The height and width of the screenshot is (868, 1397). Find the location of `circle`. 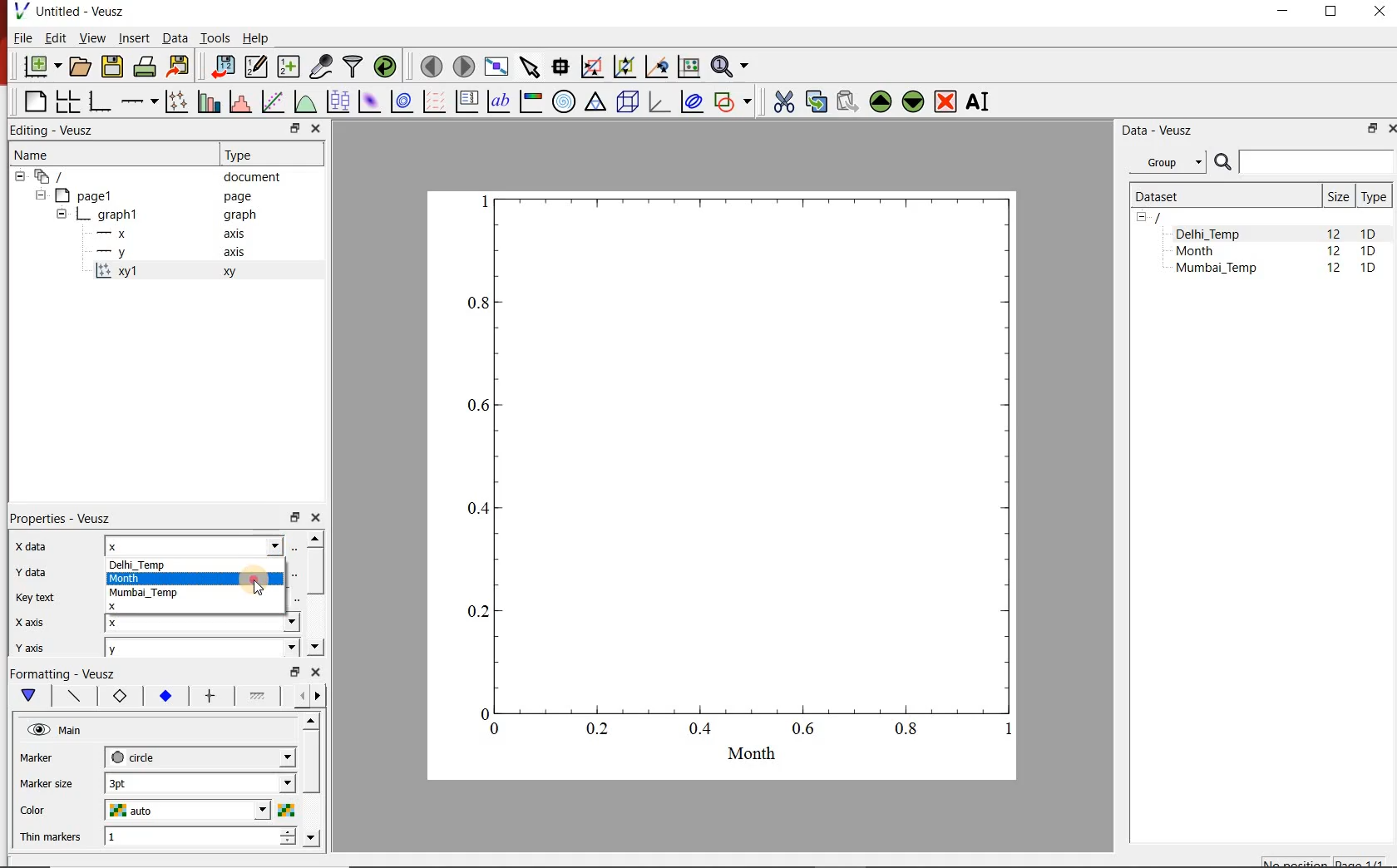

circle is located at coordinates (200, 757).